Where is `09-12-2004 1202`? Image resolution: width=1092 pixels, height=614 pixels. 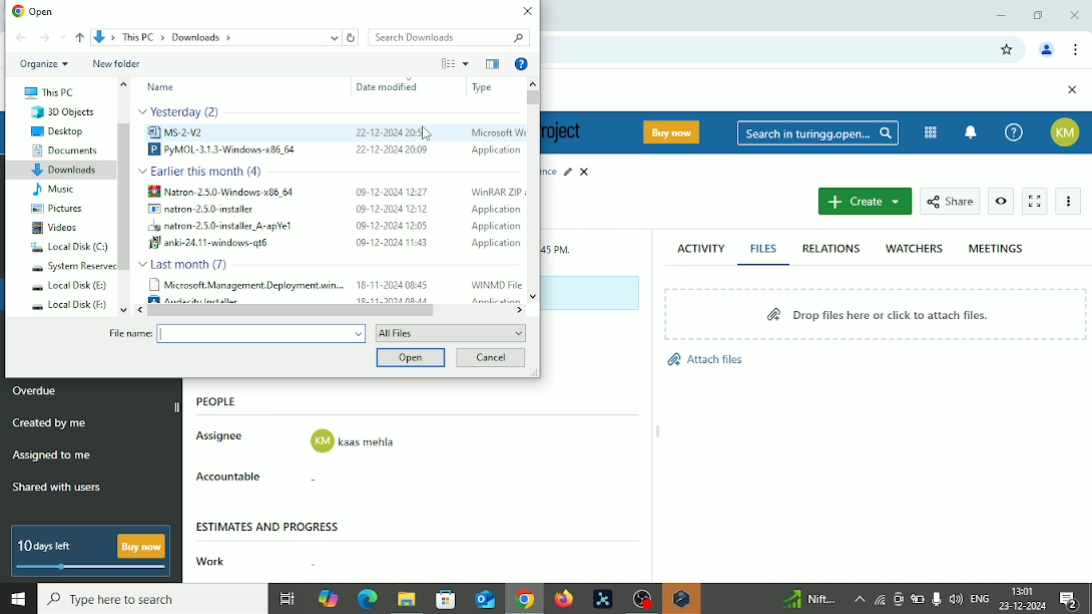 09-12-2004 1202 is located at coordinates (391, 208).